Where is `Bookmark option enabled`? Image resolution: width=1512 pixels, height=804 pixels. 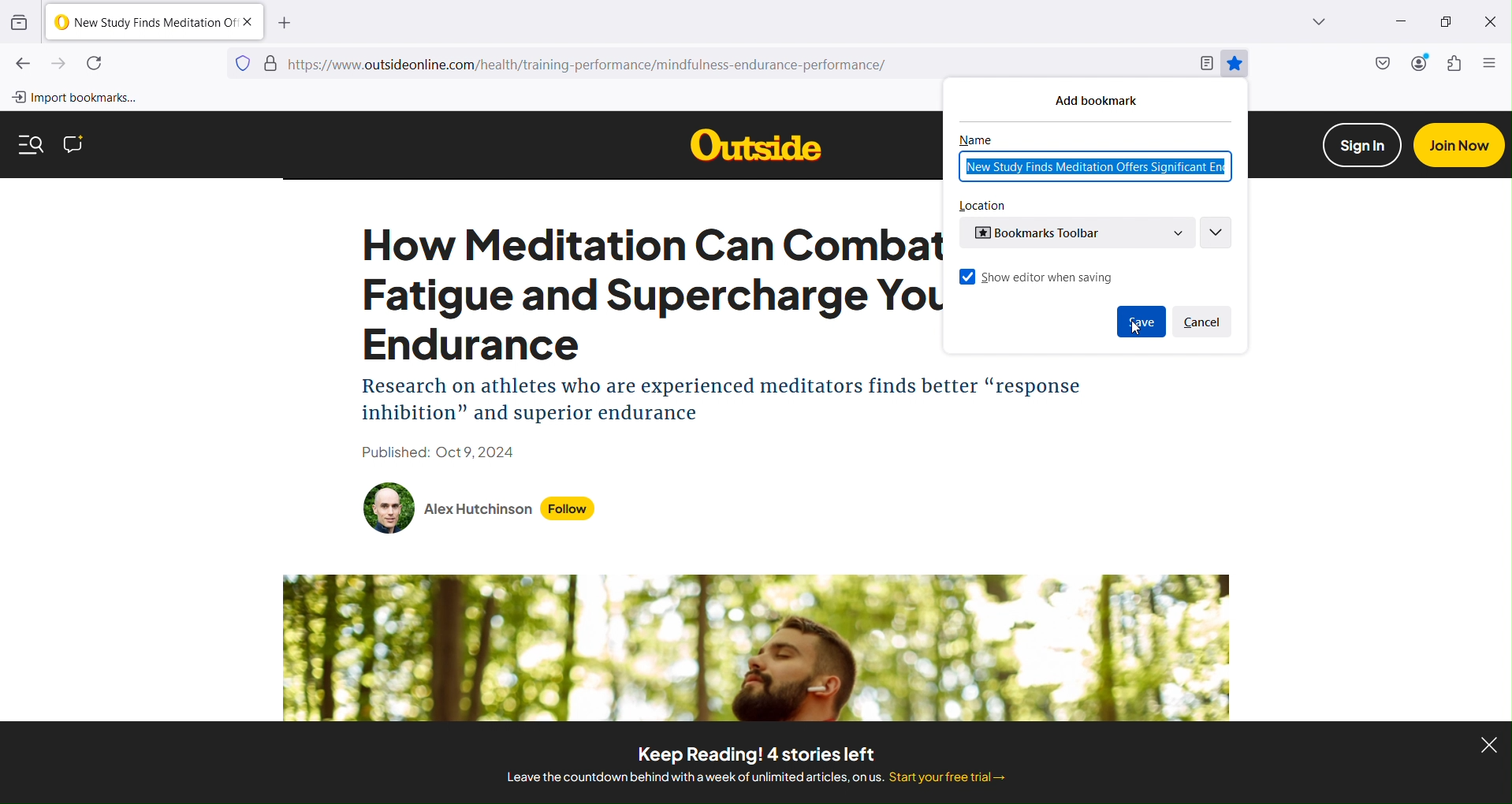
Bookmark option enabled is located at coordinates (1234, 63).